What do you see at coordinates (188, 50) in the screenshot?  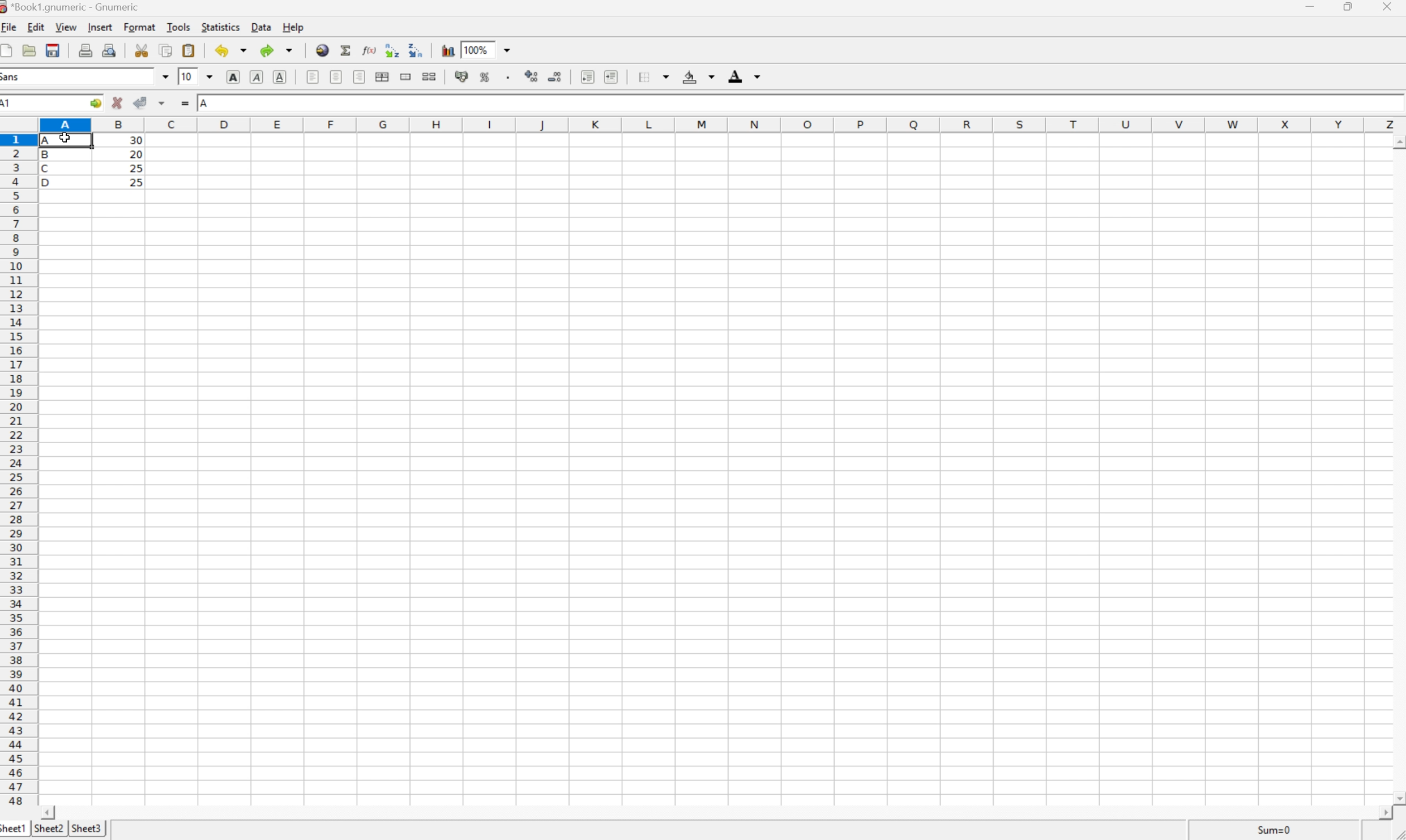 I see `Paste the clipboard` at bounding box center [188, 50].